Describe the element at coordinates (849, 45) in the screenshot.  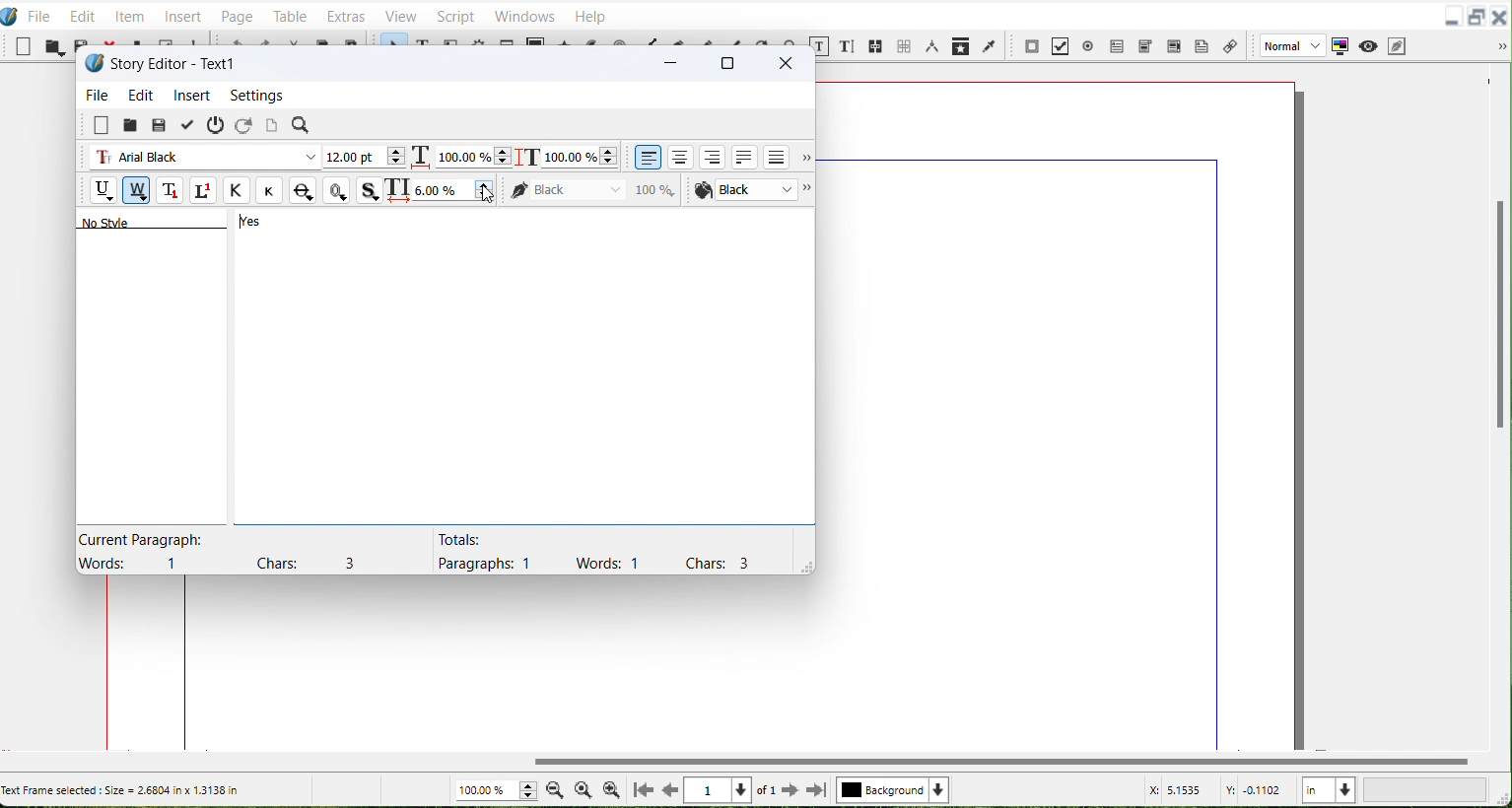
I see `Edit text` at that location.